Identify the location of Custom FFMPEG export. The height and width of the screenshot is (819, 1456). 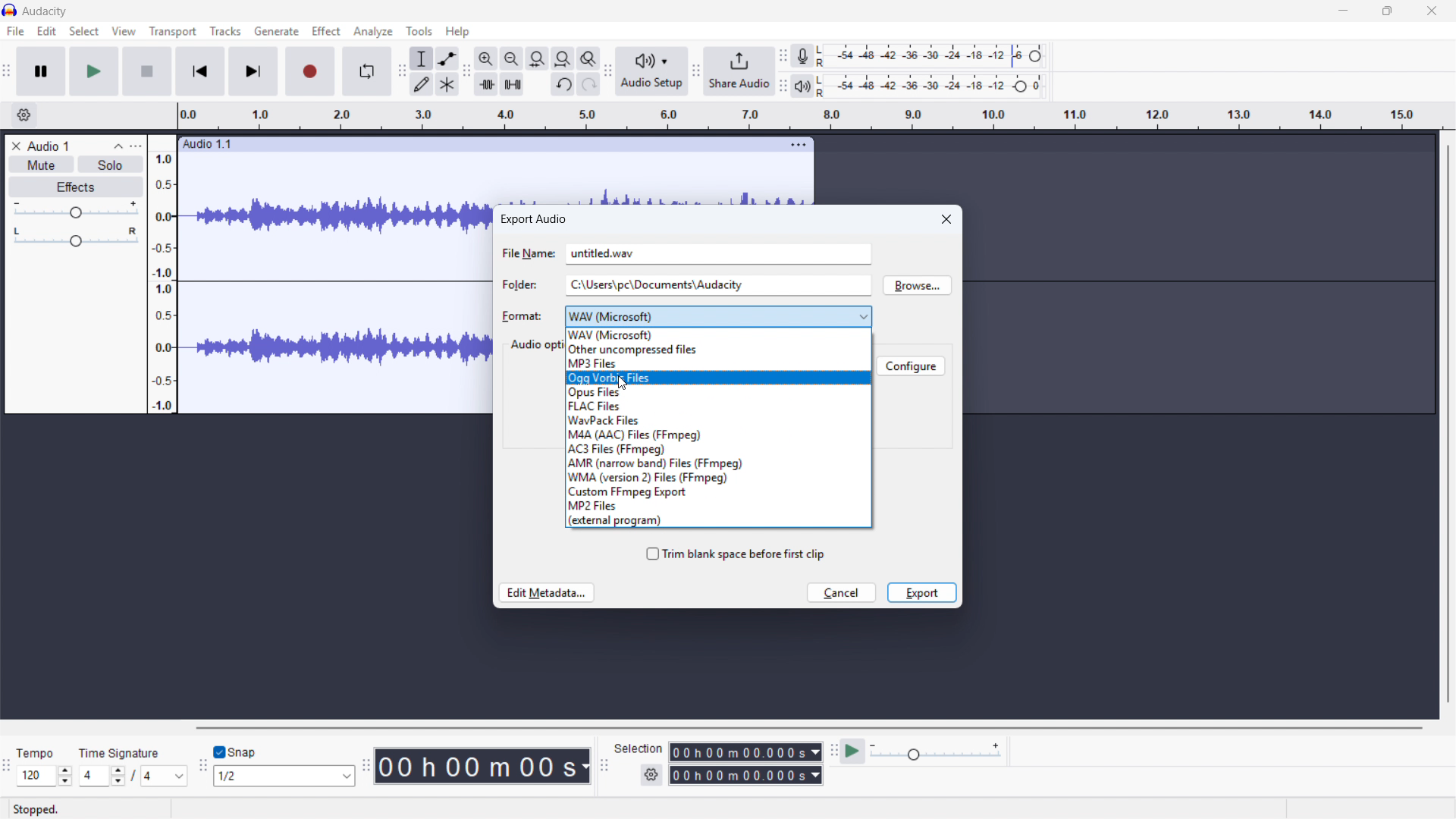
(718, 491).